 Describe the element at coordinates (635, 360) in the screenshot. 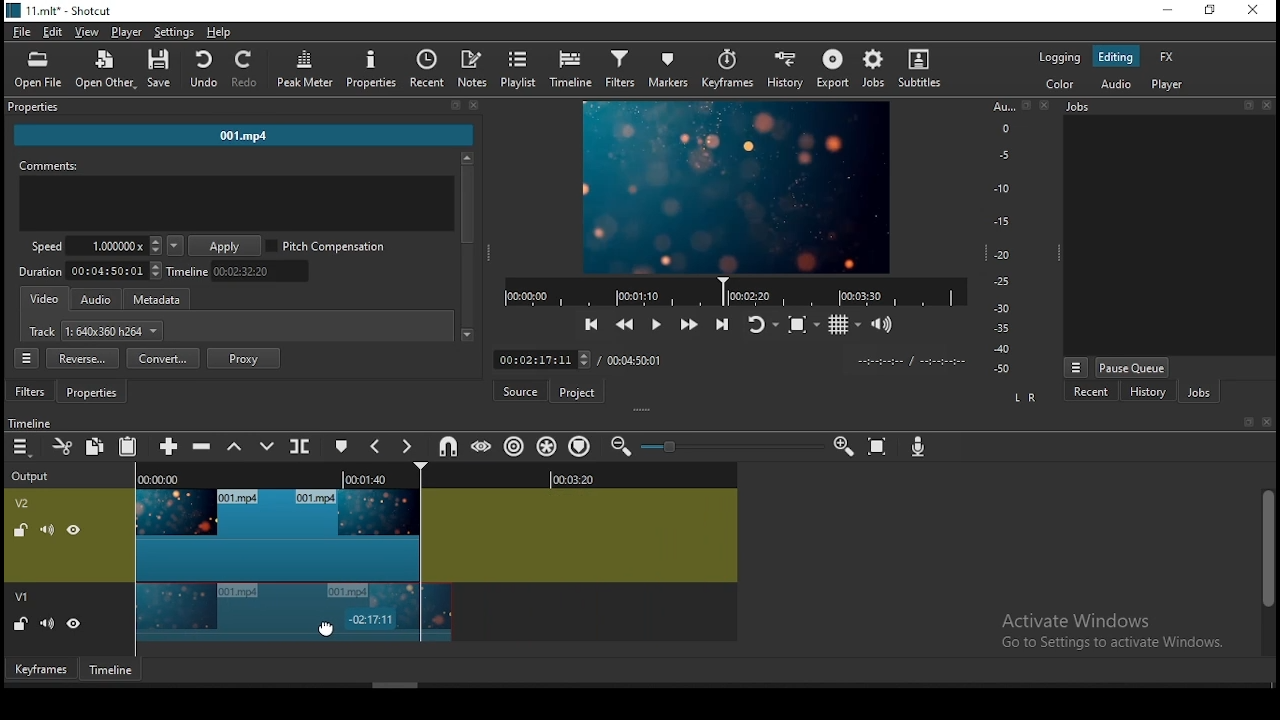

I see `MAX TIME` at that location.